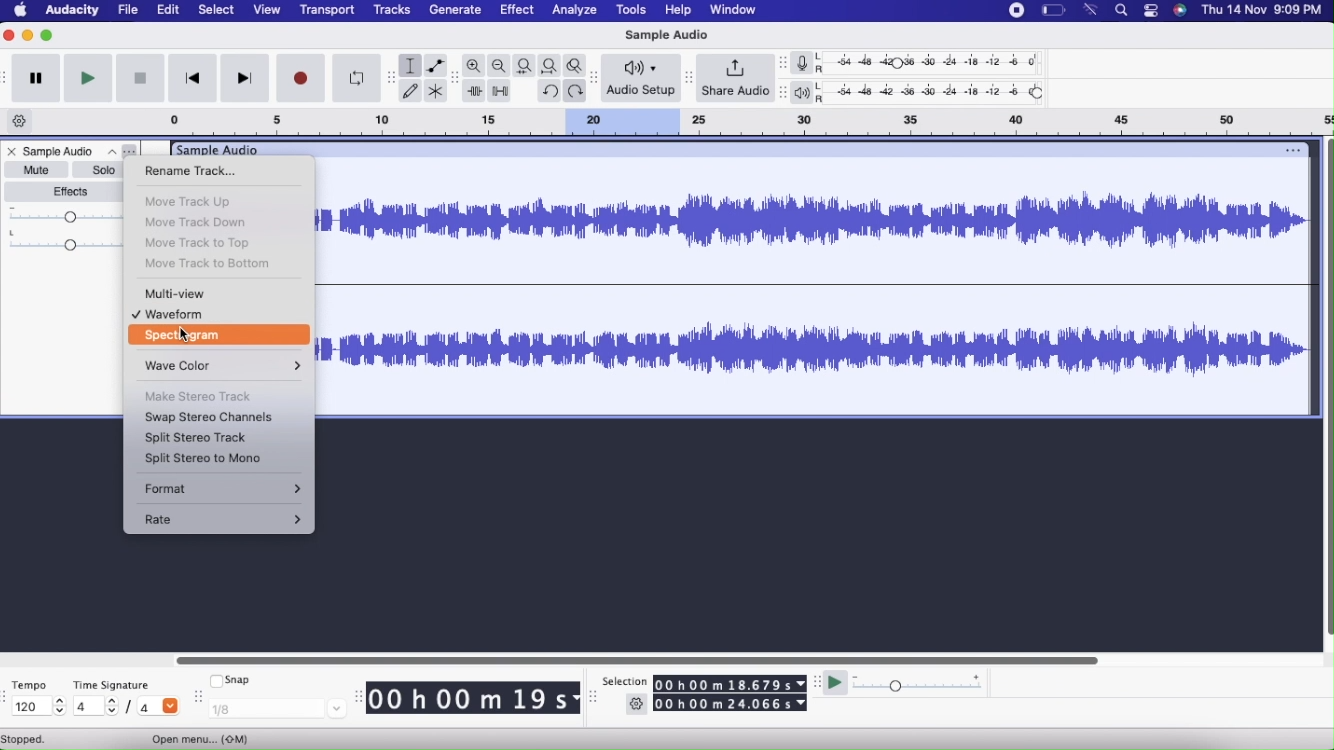  I want to click on spotlight, so click(1123, 10).